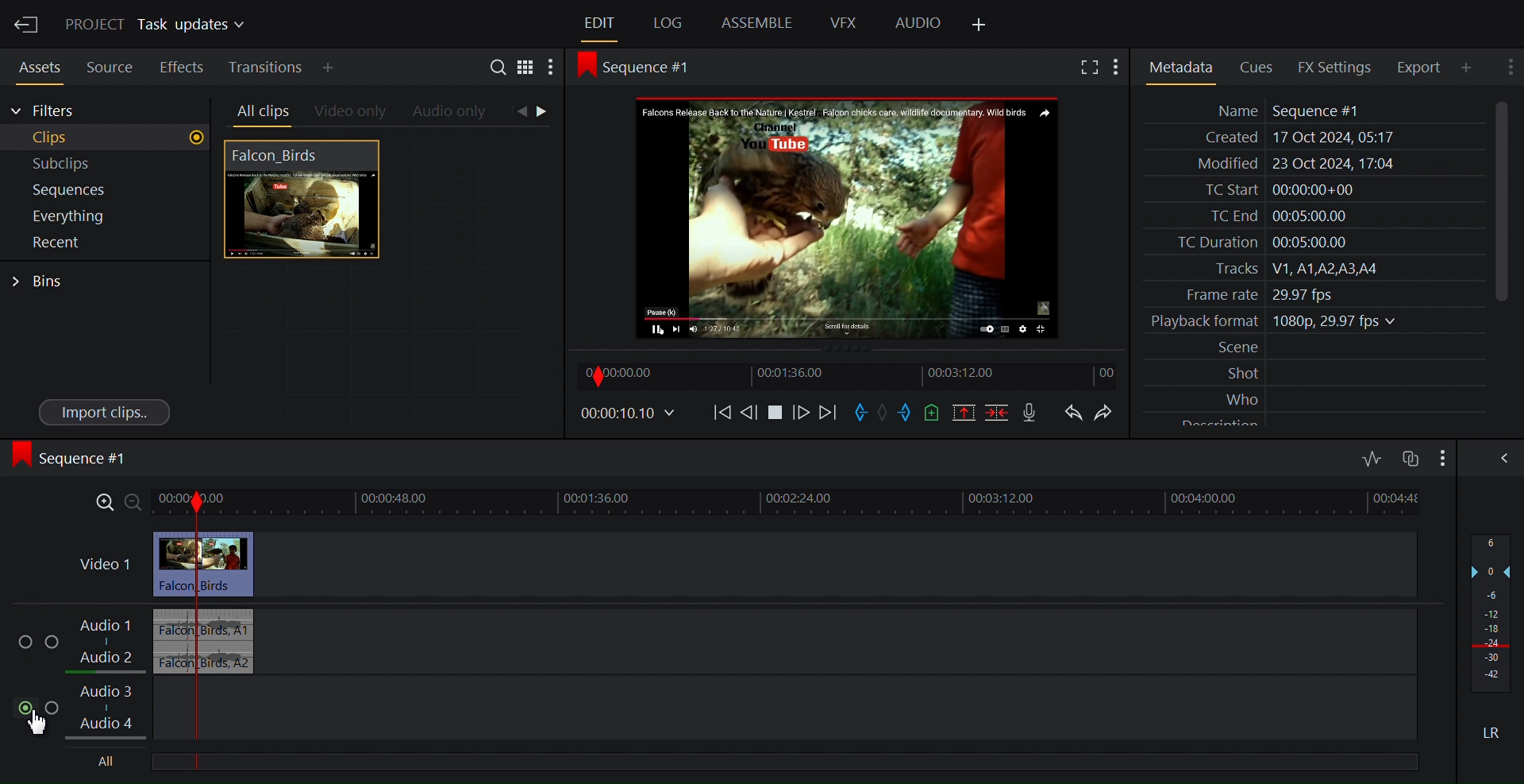  I want to click on Sequence #1, so click(75, 458).